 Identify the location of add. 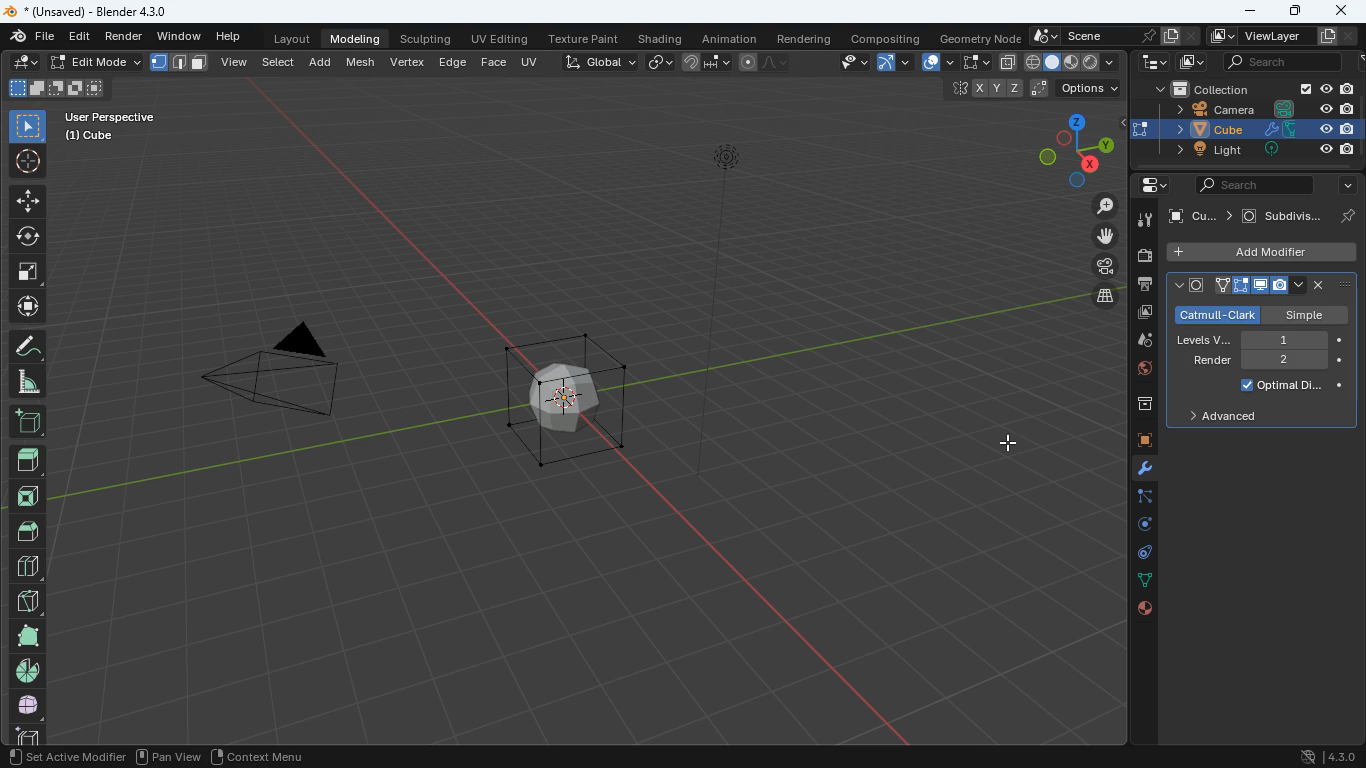
(31, 424).